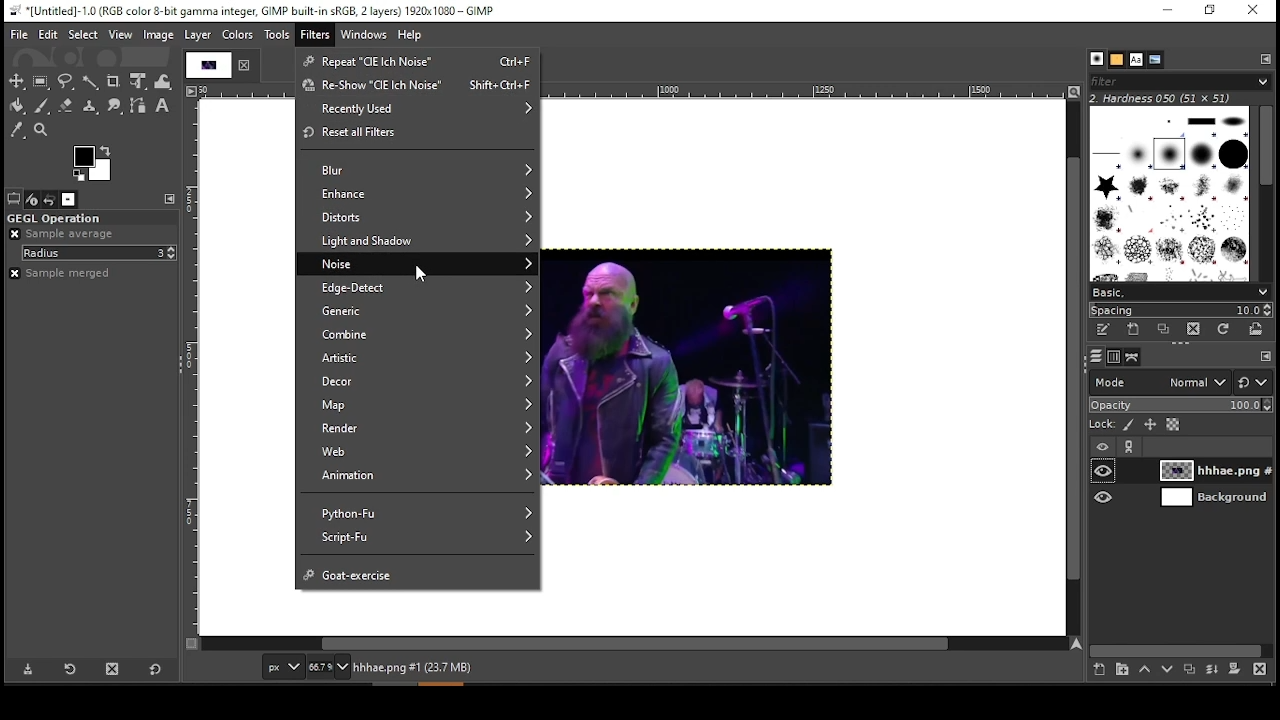 This screenshot has height=720, width=1280. Describe the element at coordinates (423, 263) in the screenshot. I see `noise` at that location.